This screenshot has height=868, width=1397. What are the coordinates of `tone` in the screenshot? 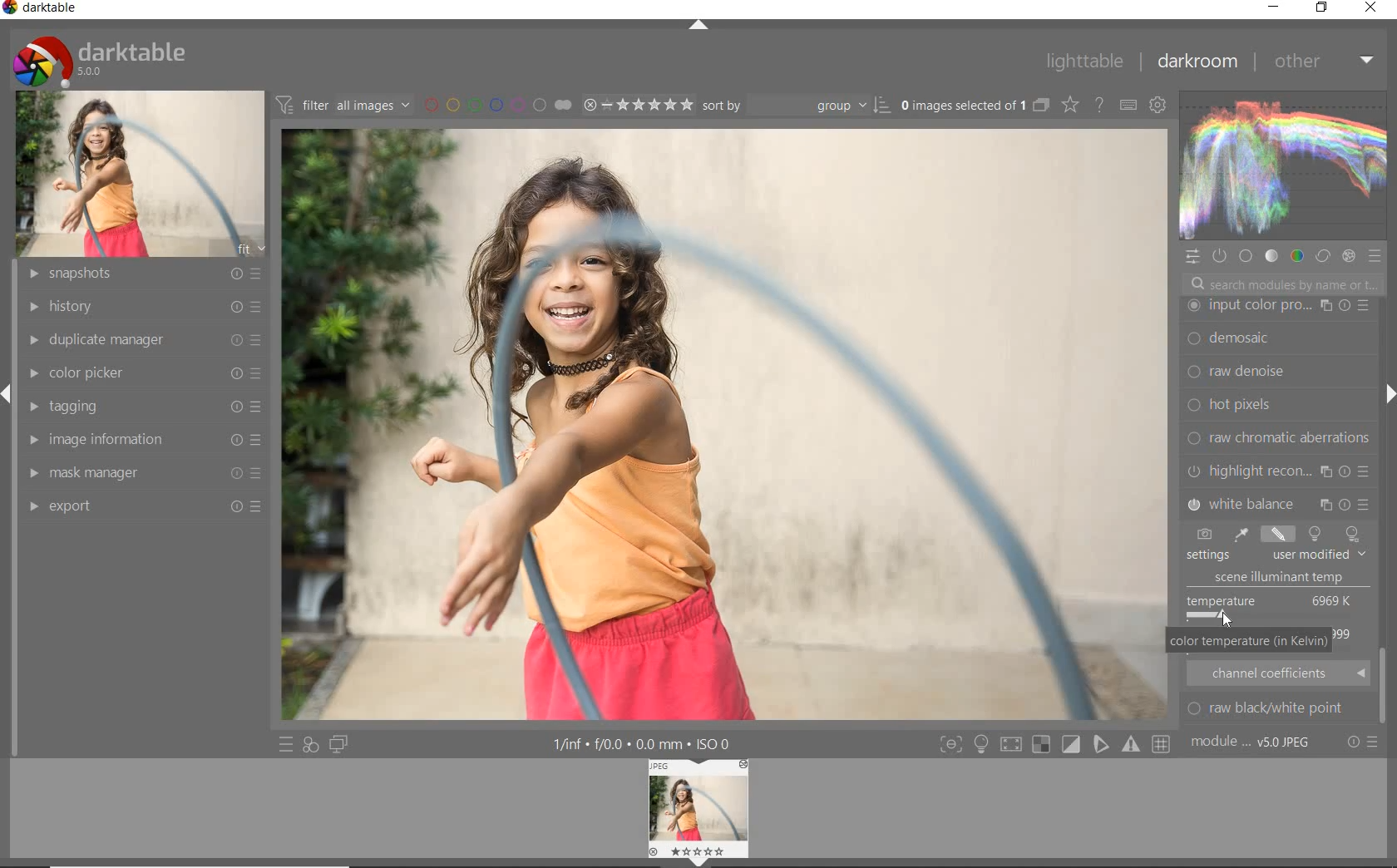 It's located at (1271, 255).